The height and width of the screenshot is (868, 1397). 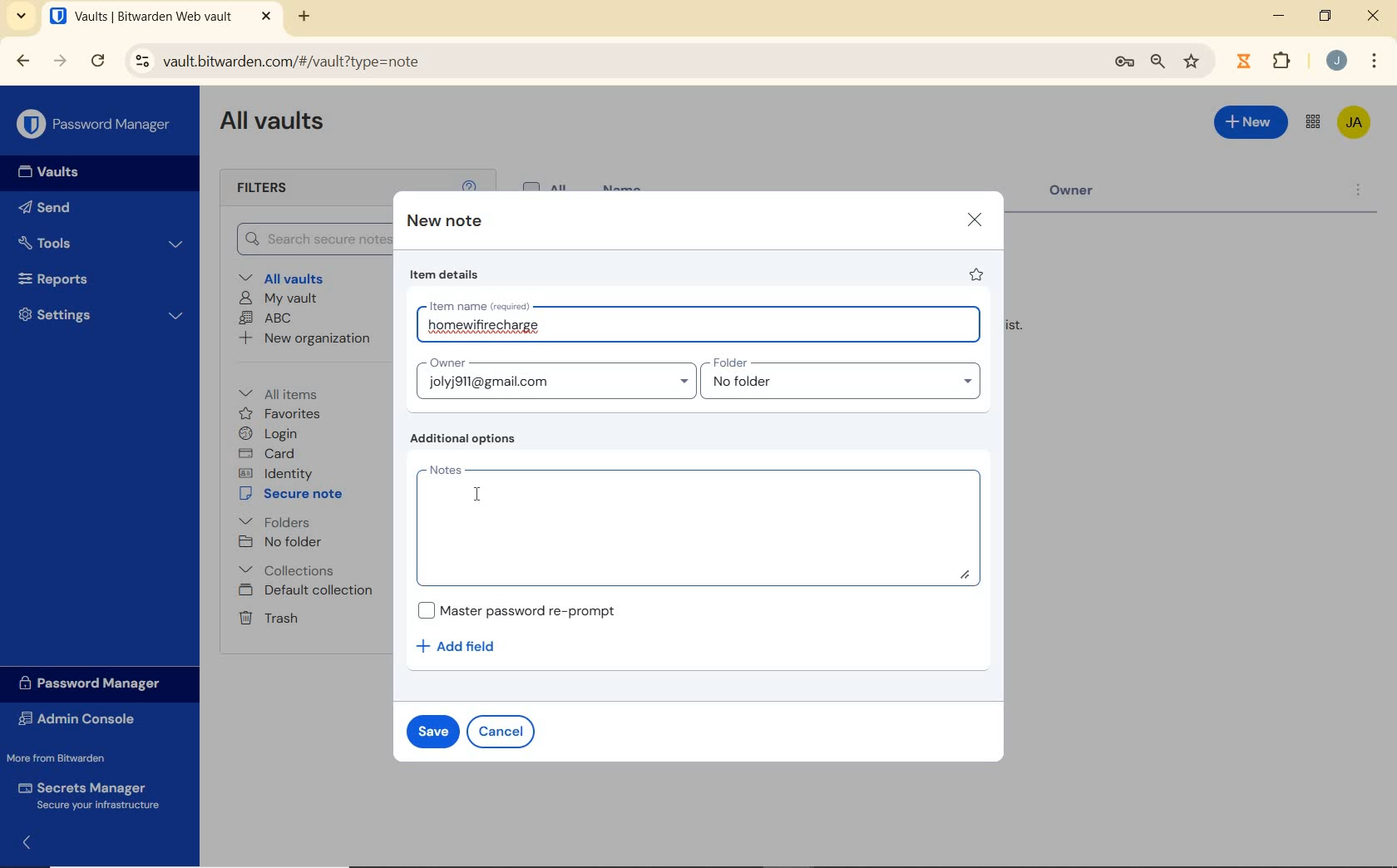 What do you see at coordinates (67, 757) in the screenshot?
I see `More from Bitwarden` at bounding box center [67, 757].